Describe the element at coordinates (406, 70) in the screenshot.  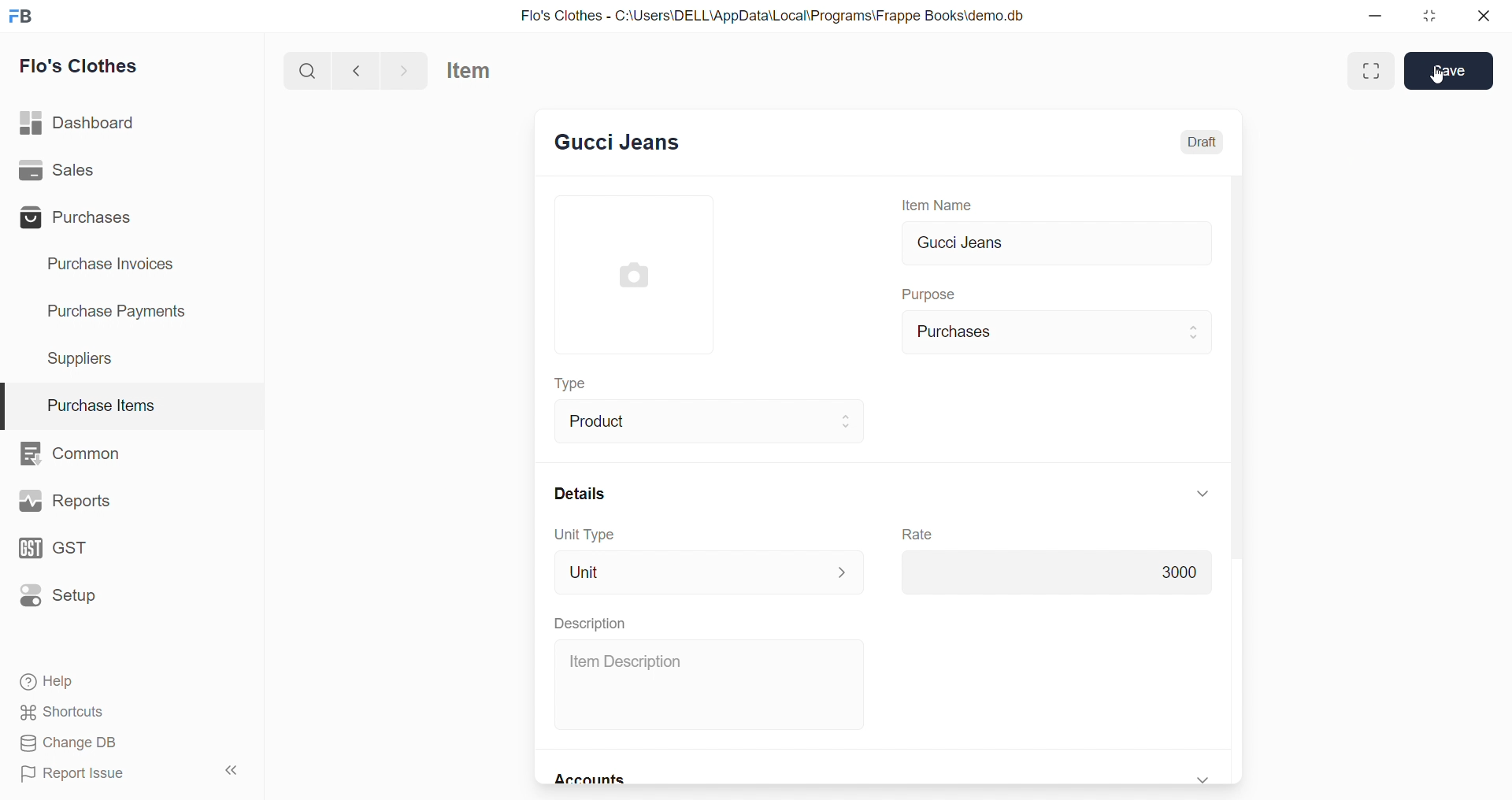
I see `navigate forward` at that location.